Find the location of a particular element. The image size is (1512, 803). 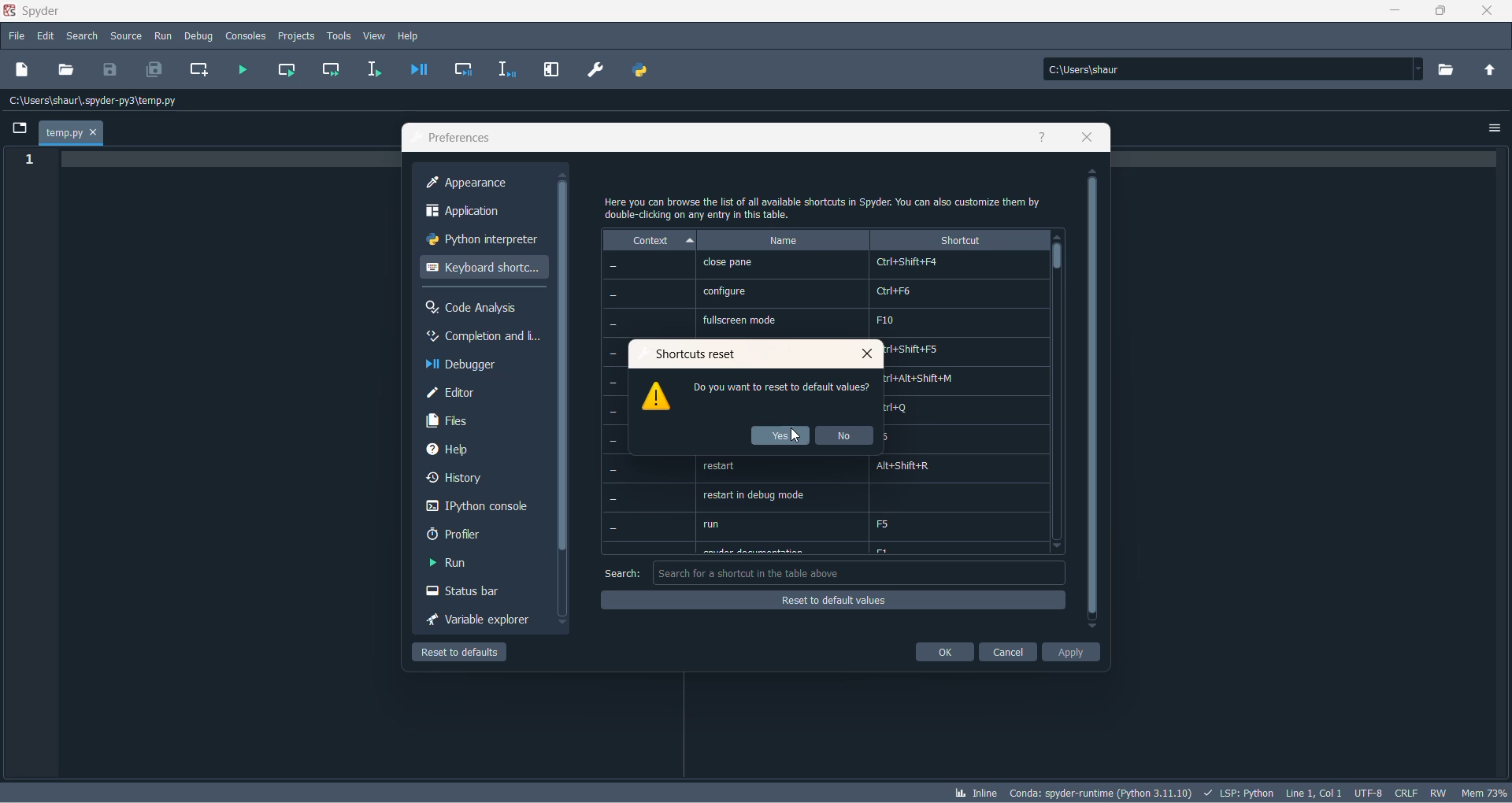

run is located at coordinates (476, 561).